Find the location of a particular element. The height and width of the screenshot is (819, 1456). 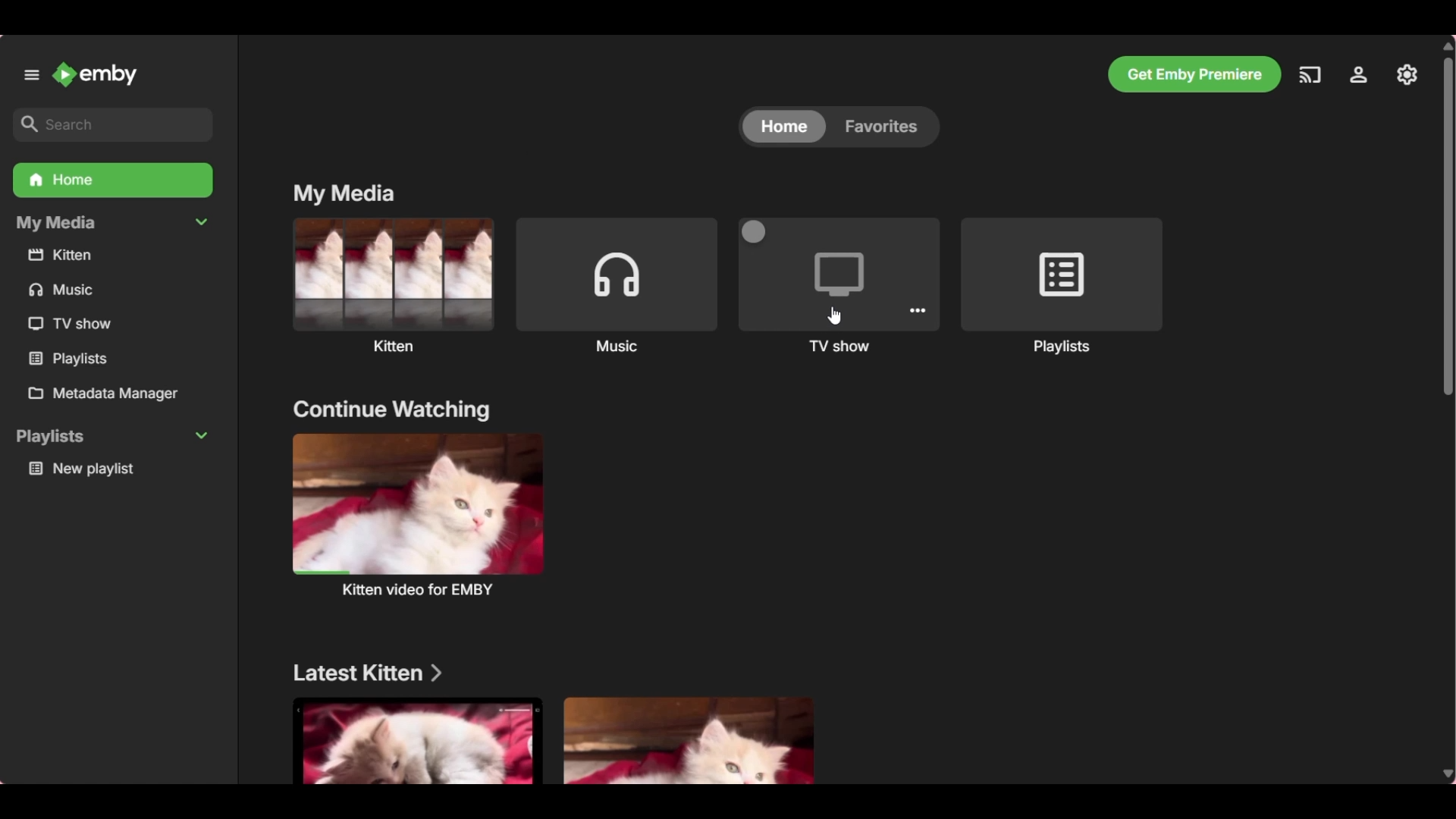

Settings is located at coordinates (1358, 74).